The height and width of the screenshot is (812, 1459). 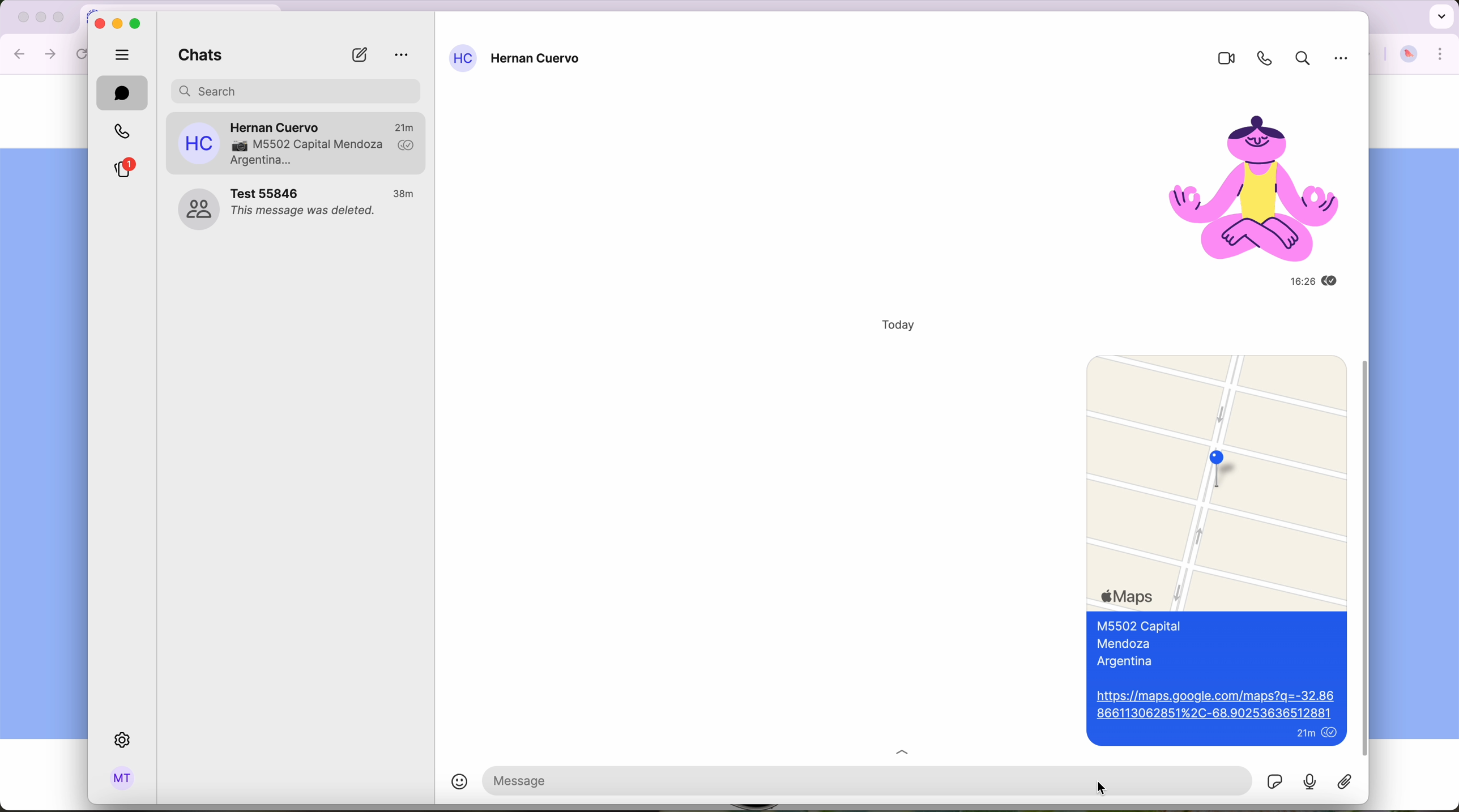 I want to click on Today, so click(x=890, y=325).